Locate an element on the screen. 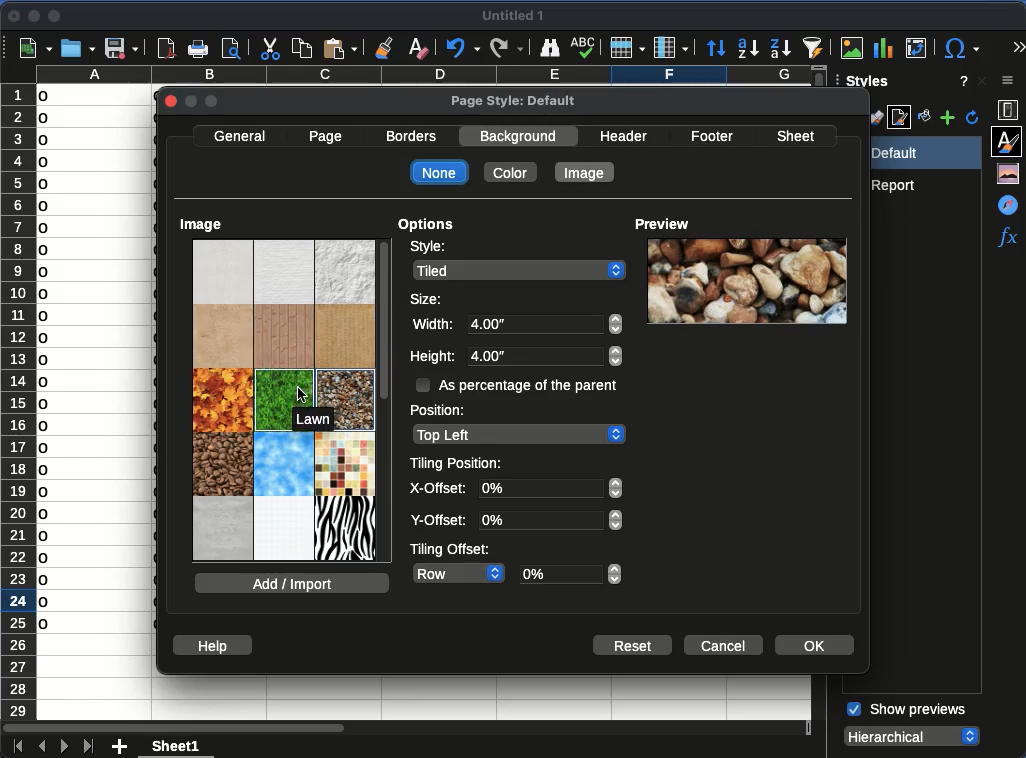  open is located at coordinates (77, 48).